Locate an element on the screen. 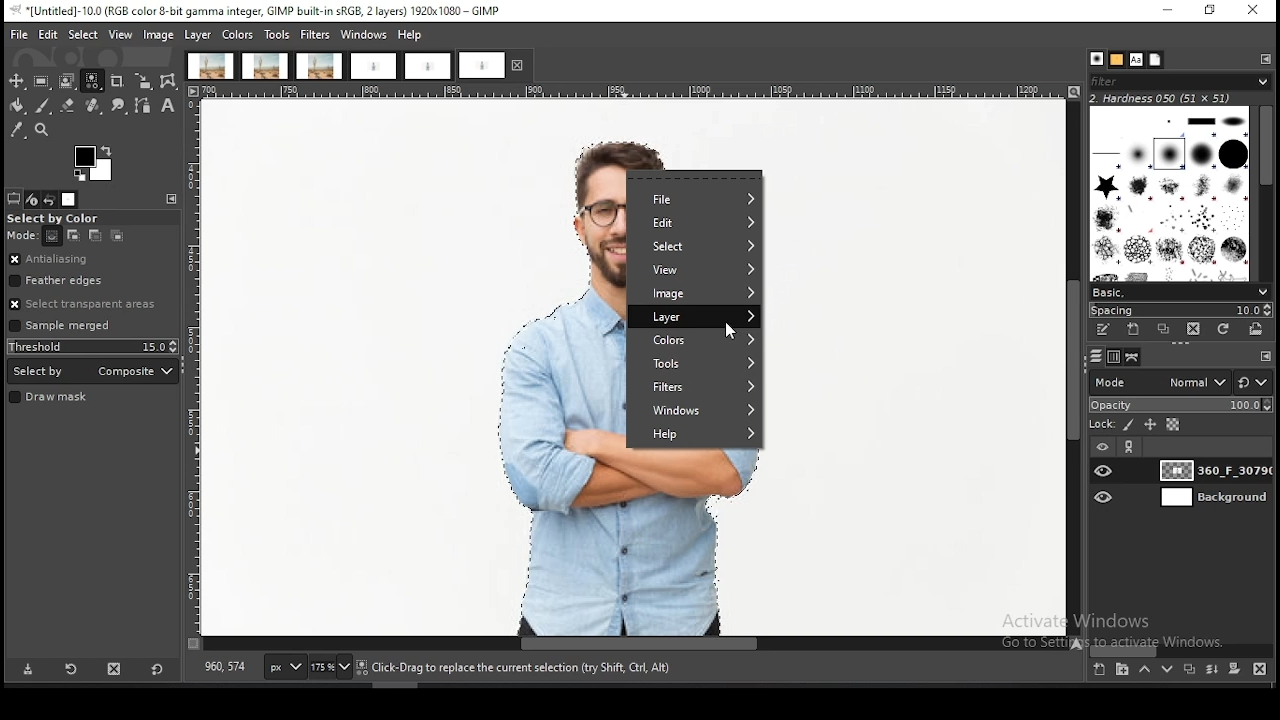  delete tool preset is located at coordinates (116, 667).